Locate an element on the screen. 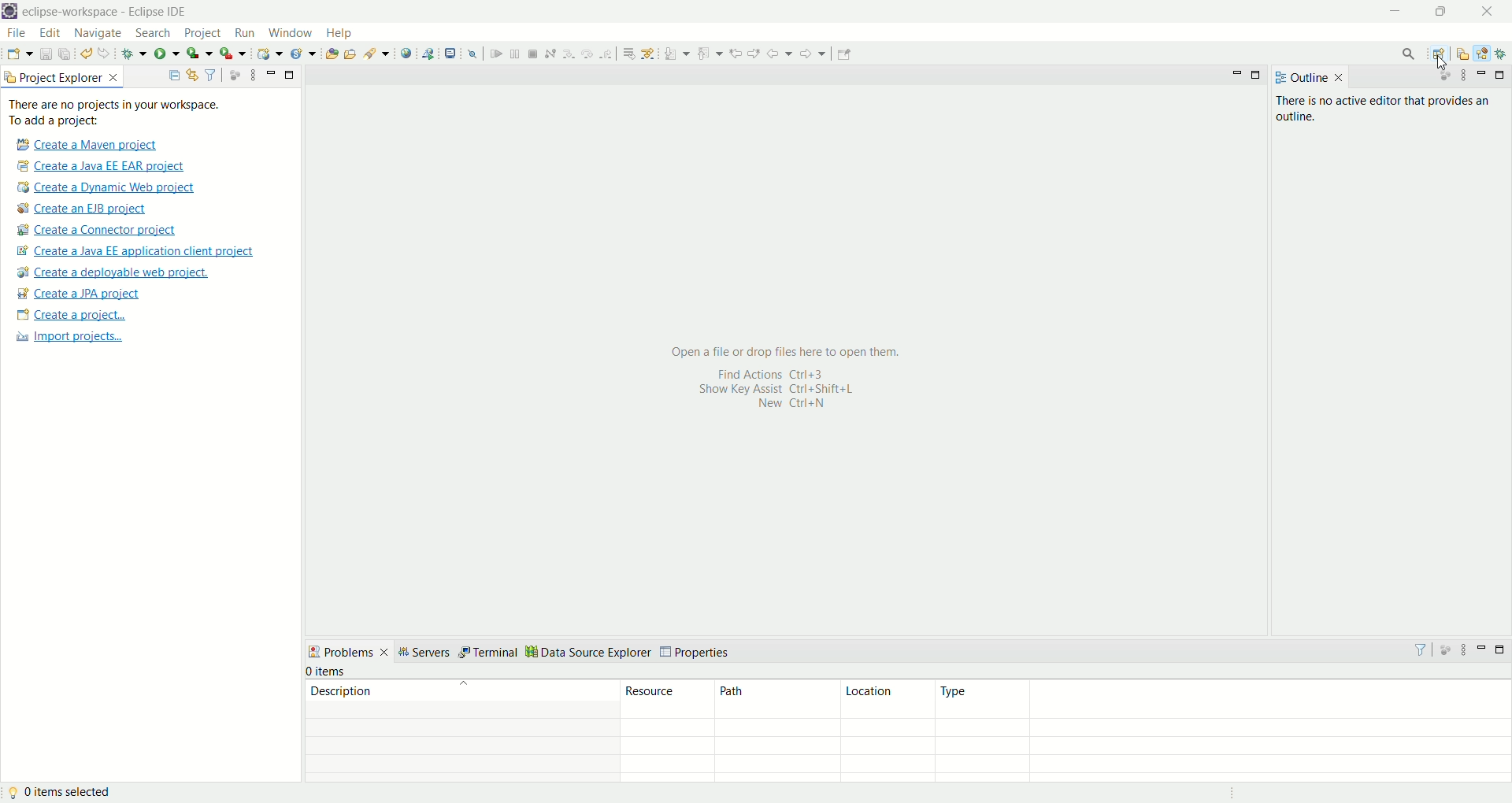 This screenshot has width=1512, height=803. create a Java EE EAR project is located at coordinates (103, 165).